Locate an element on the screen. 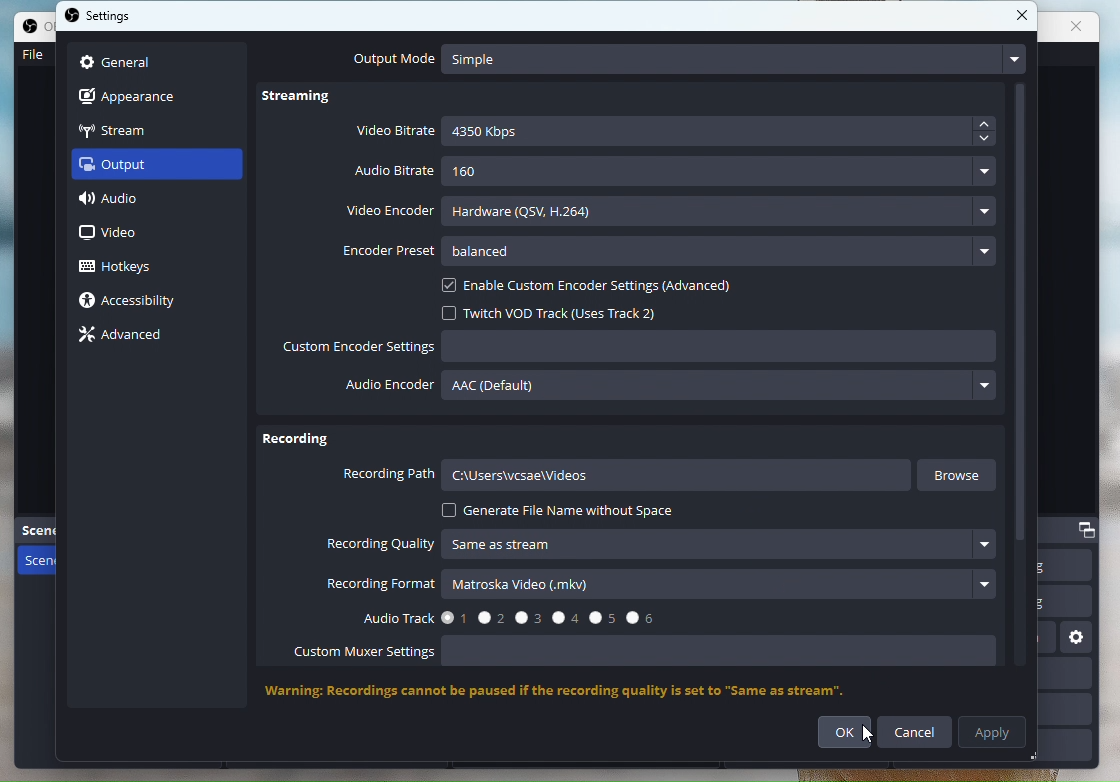 Image resolution: width=1120 pixels, height=782 pixels. Advance is located at coordinates (128, 335).